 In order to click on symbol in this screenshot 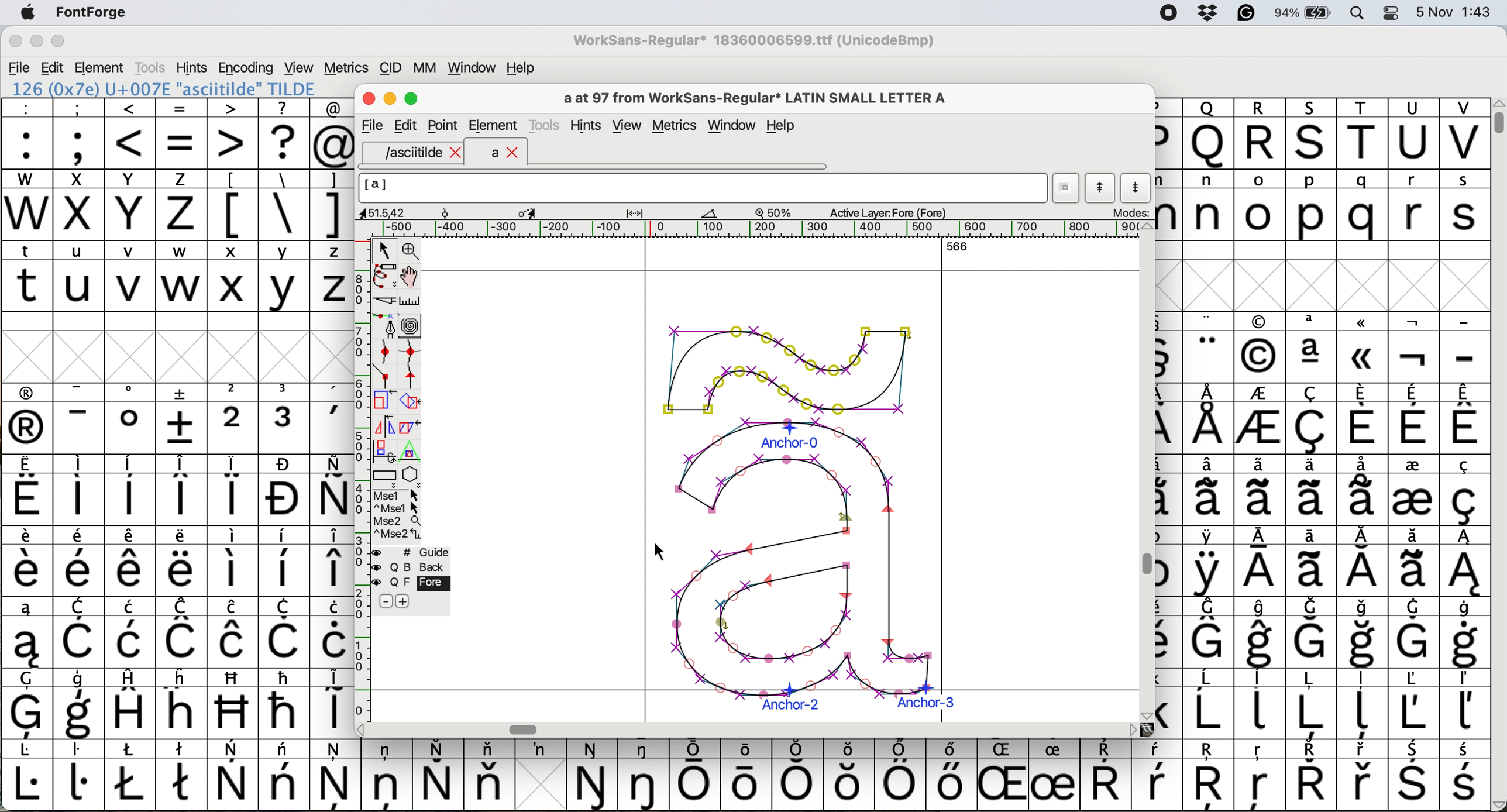, I will do `click(130, 775)`.